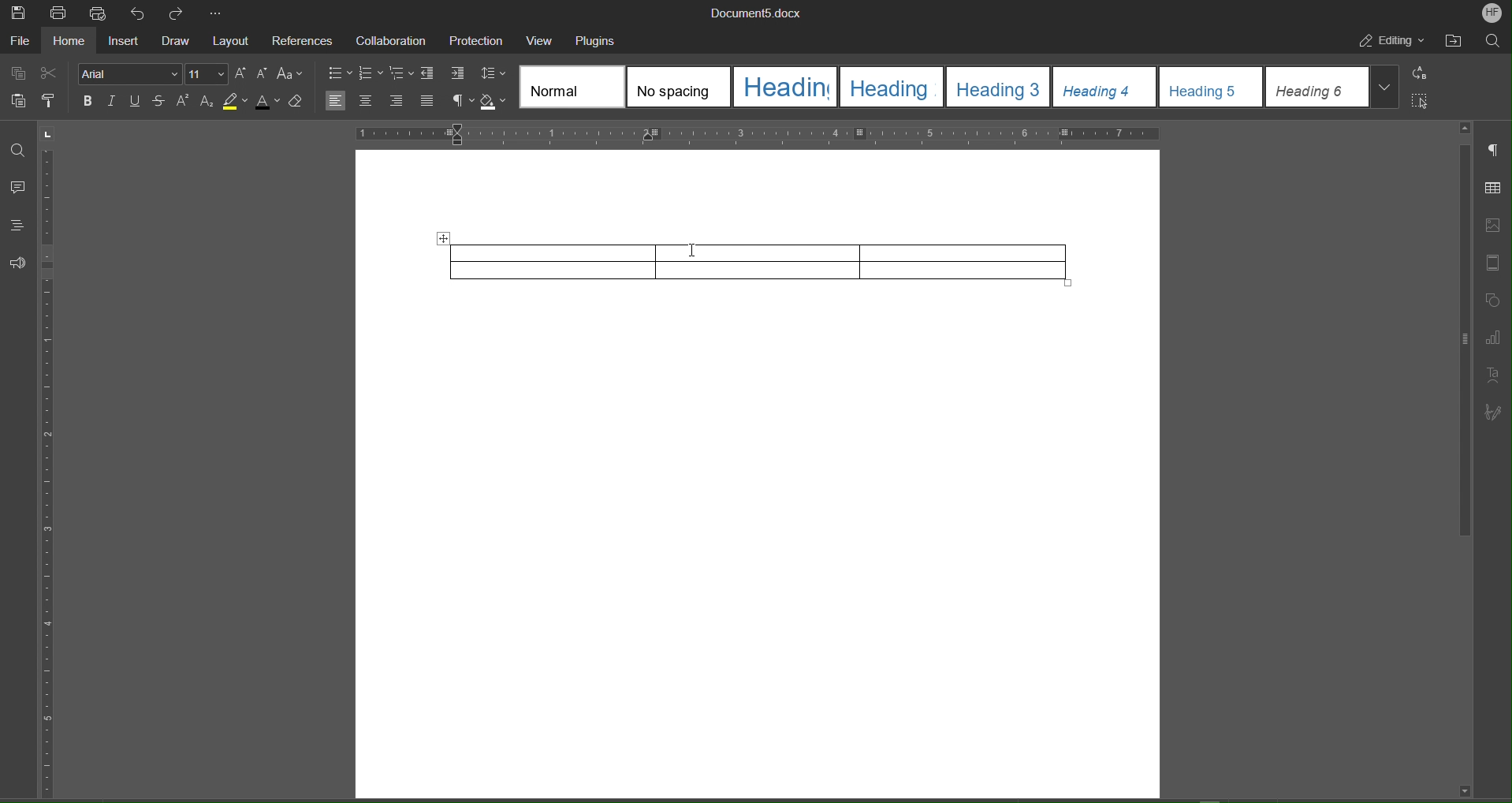 This screenshot has width=1512, height=803. Describe the element at coordinates (572, 87) in the screenshot. I see `Normal` at that location.